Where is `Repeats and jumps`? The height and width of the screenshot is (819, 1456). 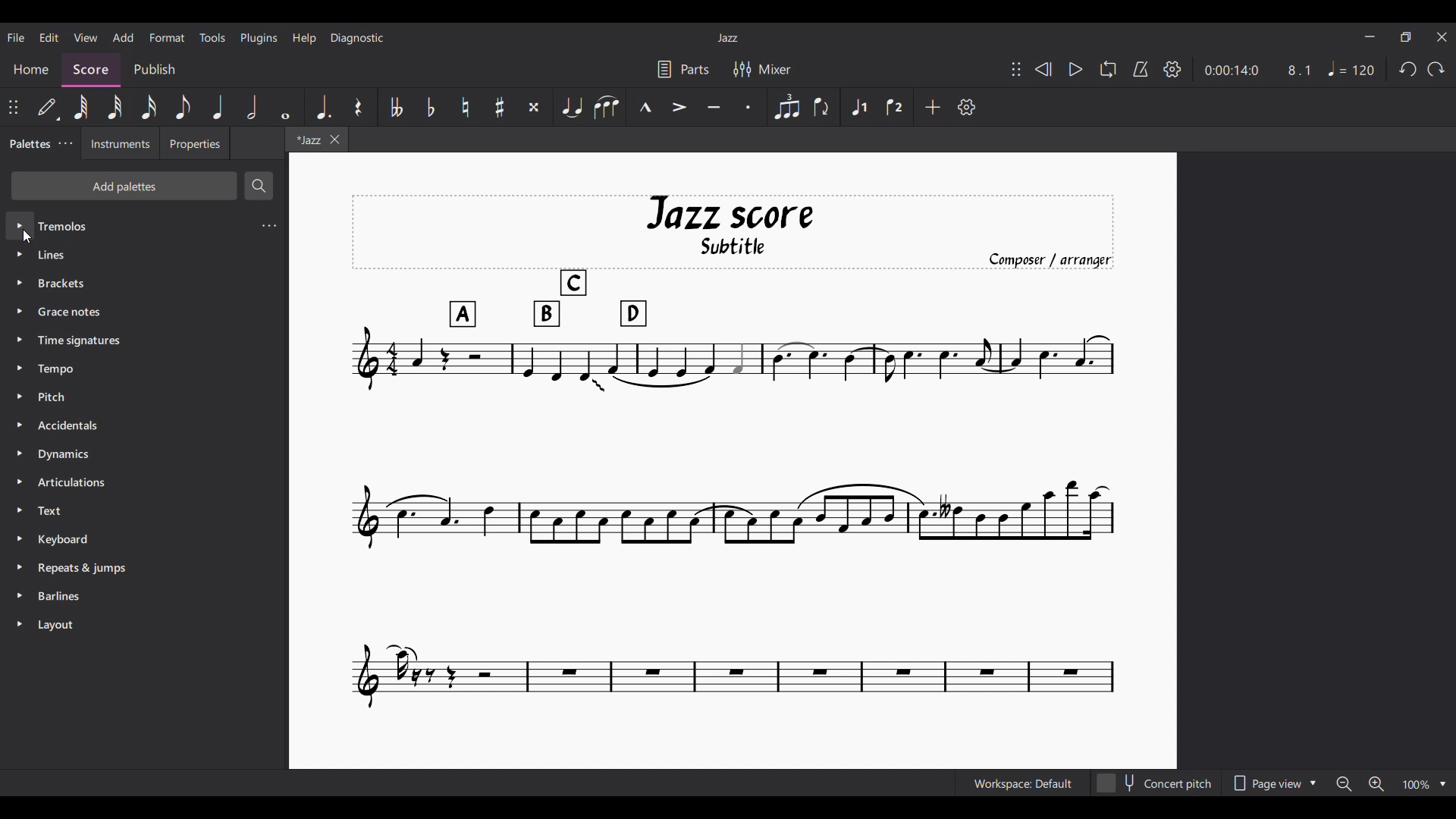
Repeats and jumps is located at coordinates (143, 566).